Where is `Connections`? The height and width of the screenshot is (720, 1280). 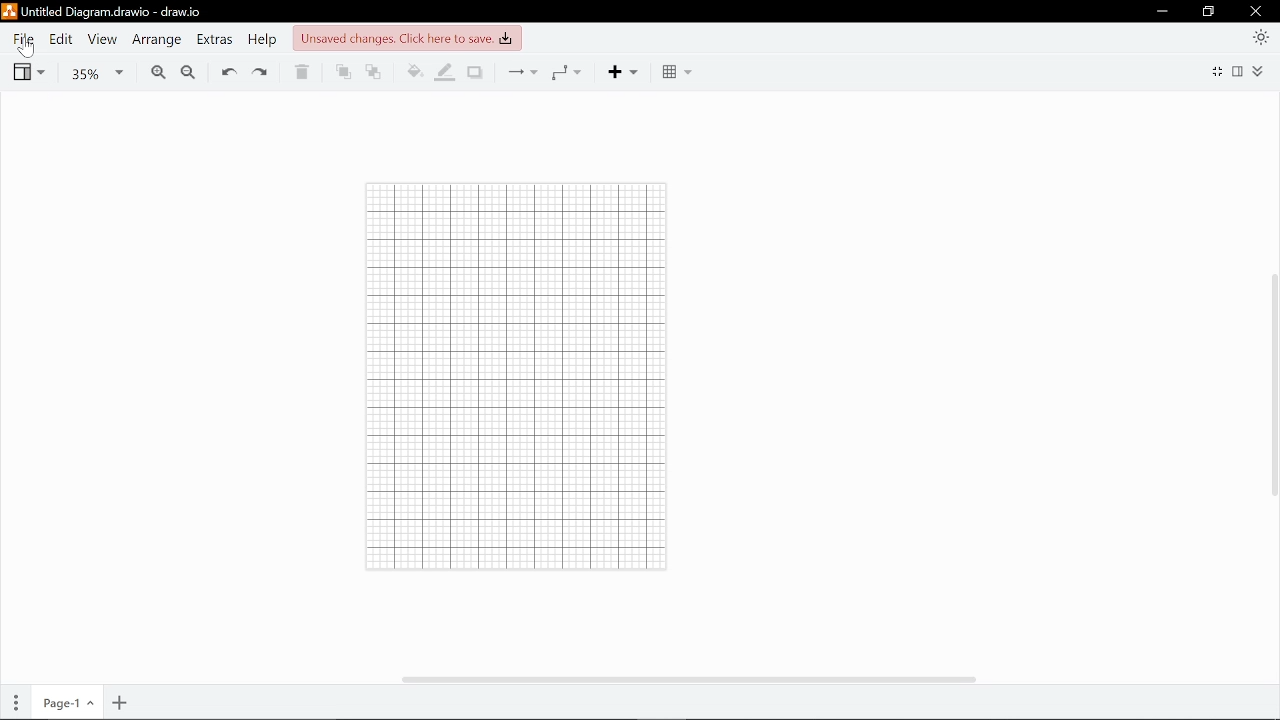 Connections is located at coordinates (525, 71).